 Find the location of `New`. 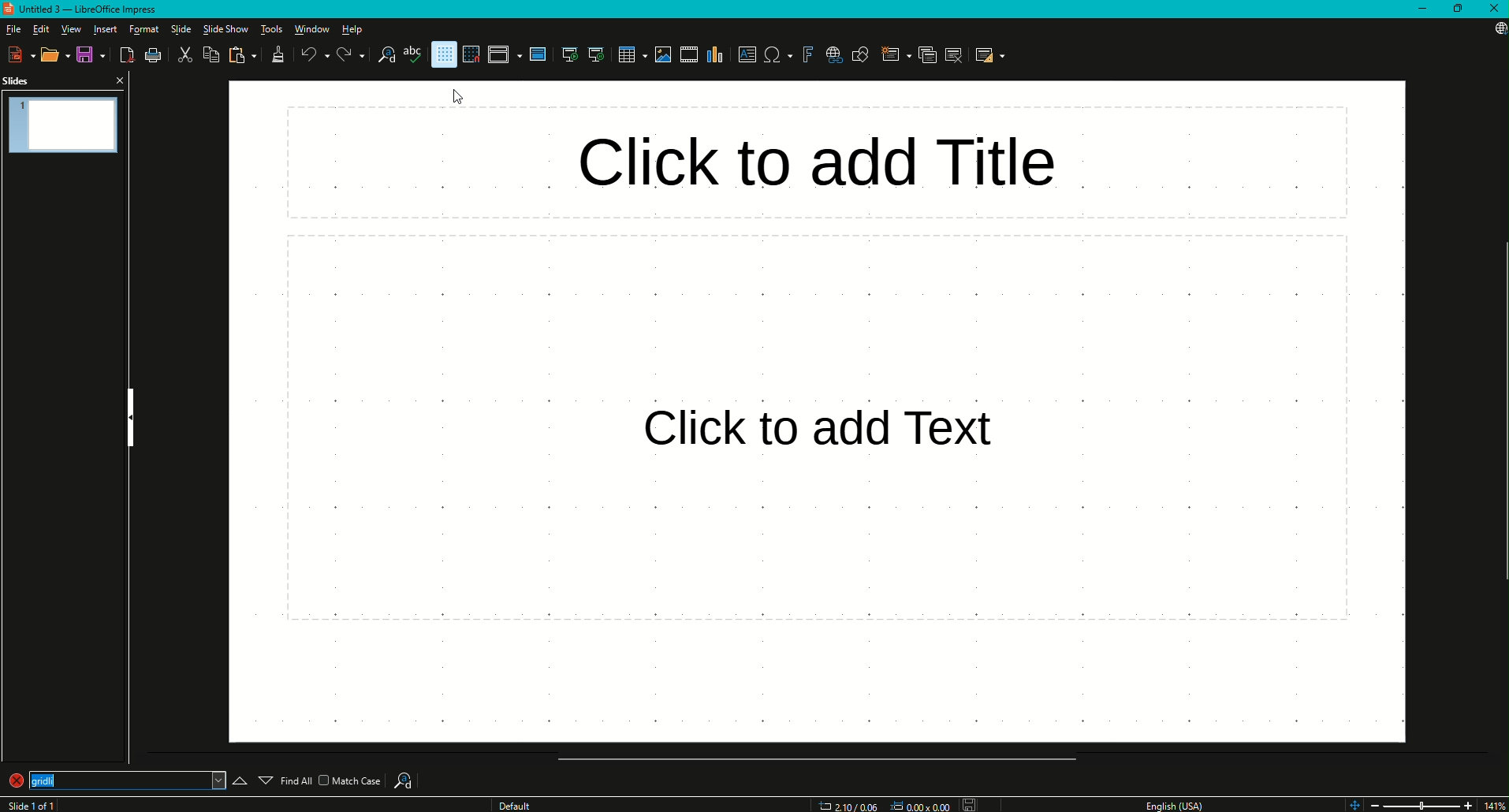

New is located at coordinates (17, 54).